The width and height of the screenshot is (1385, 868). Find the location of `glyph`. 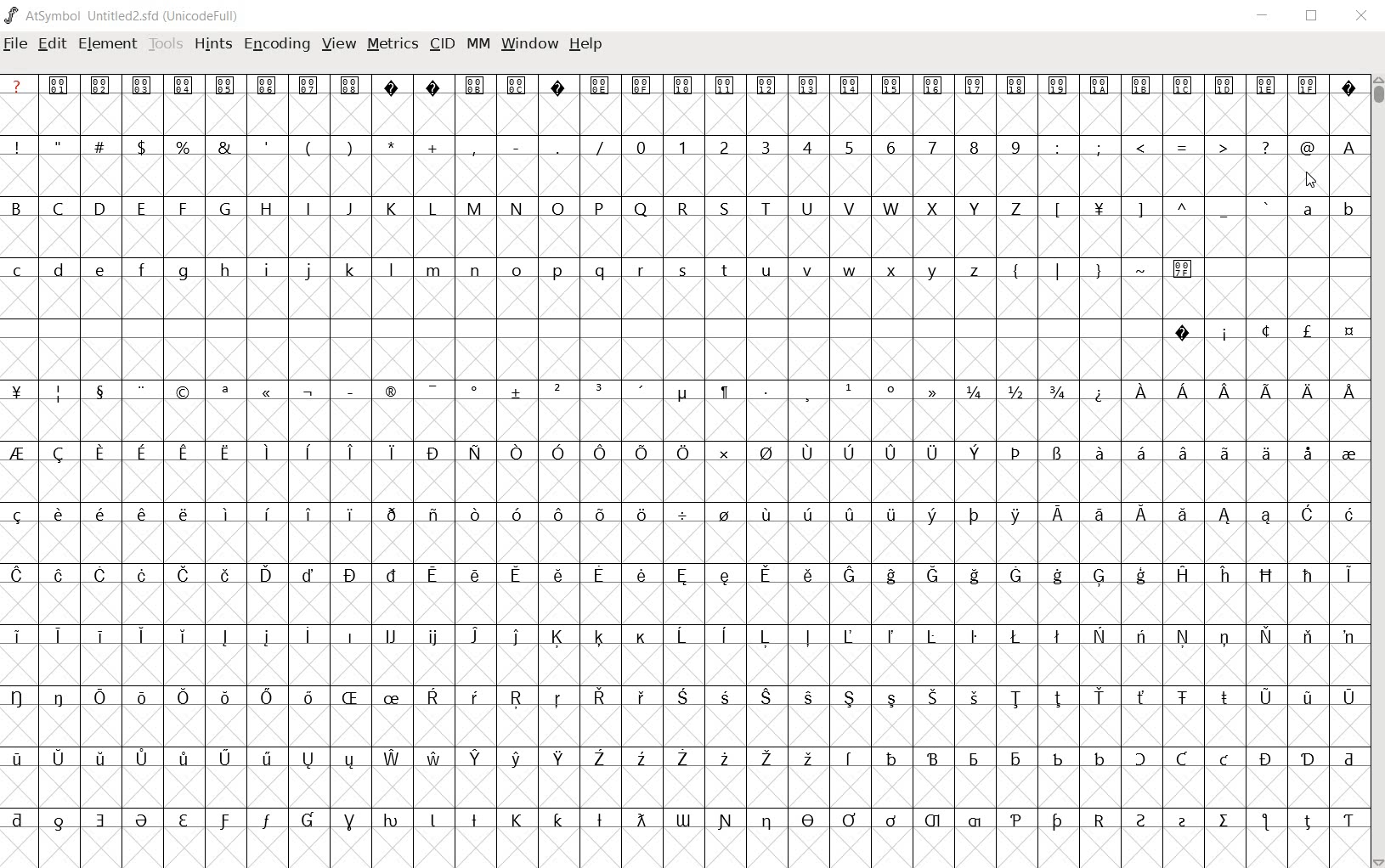

glyph is located at coordinates (682, 470).